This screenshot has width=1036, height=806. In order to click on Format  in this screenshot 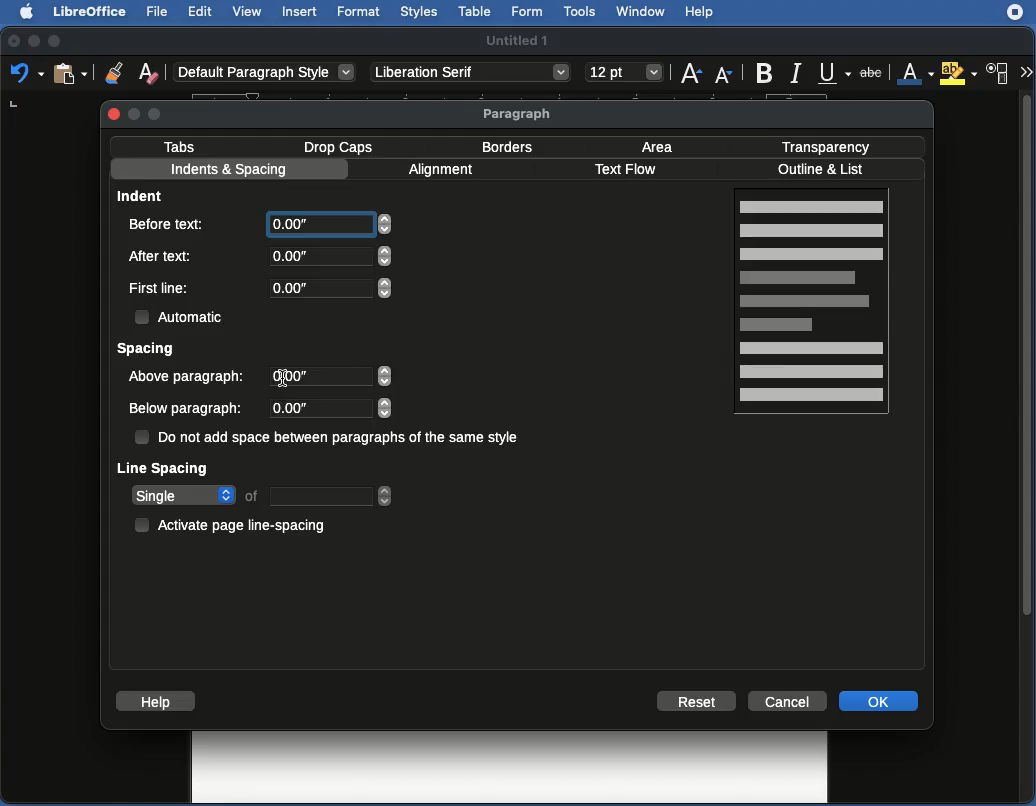, I will do `click(358, 12)`.